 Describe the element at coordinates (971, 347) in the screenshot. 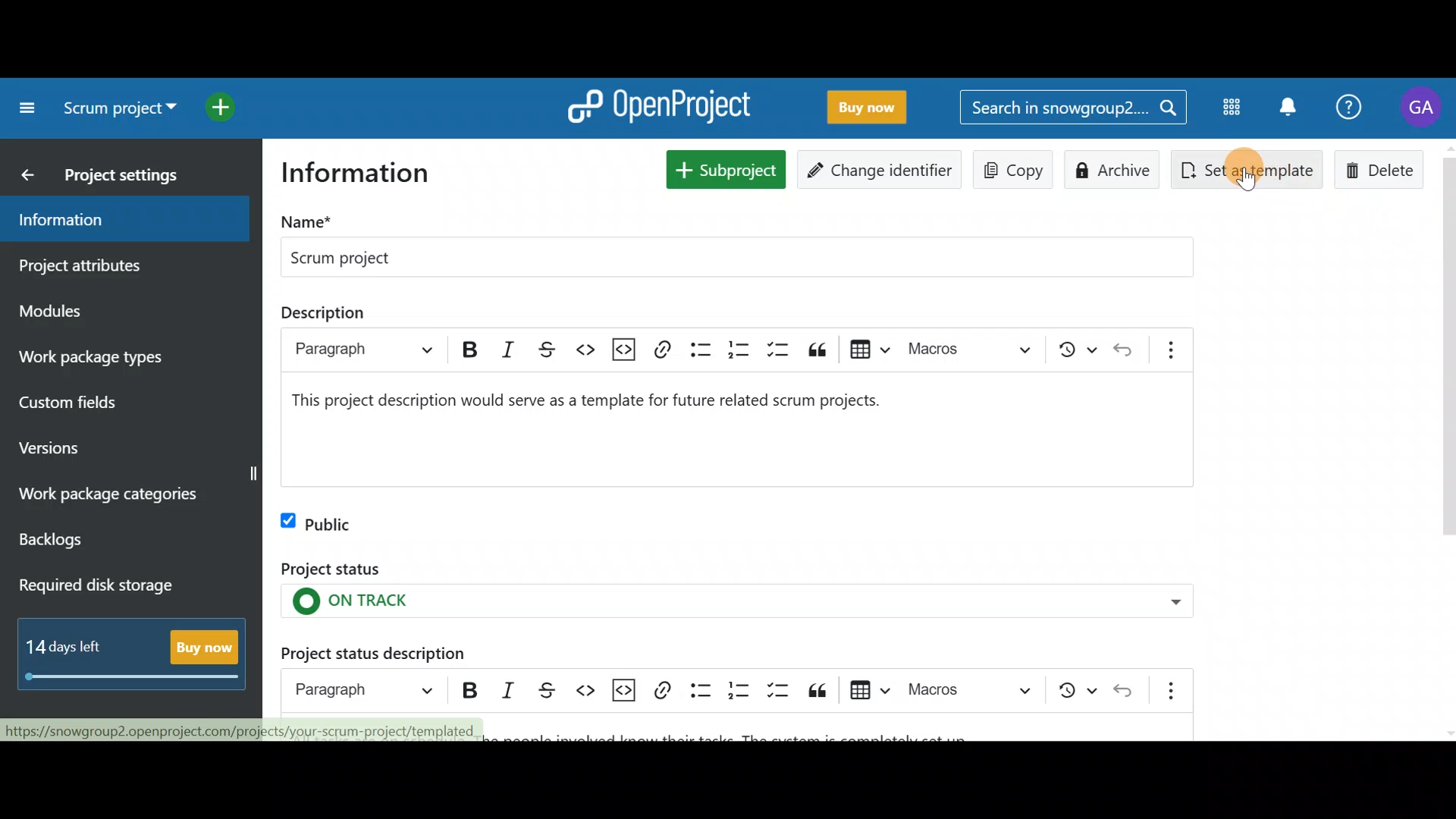

I see `choose macro` at that location.